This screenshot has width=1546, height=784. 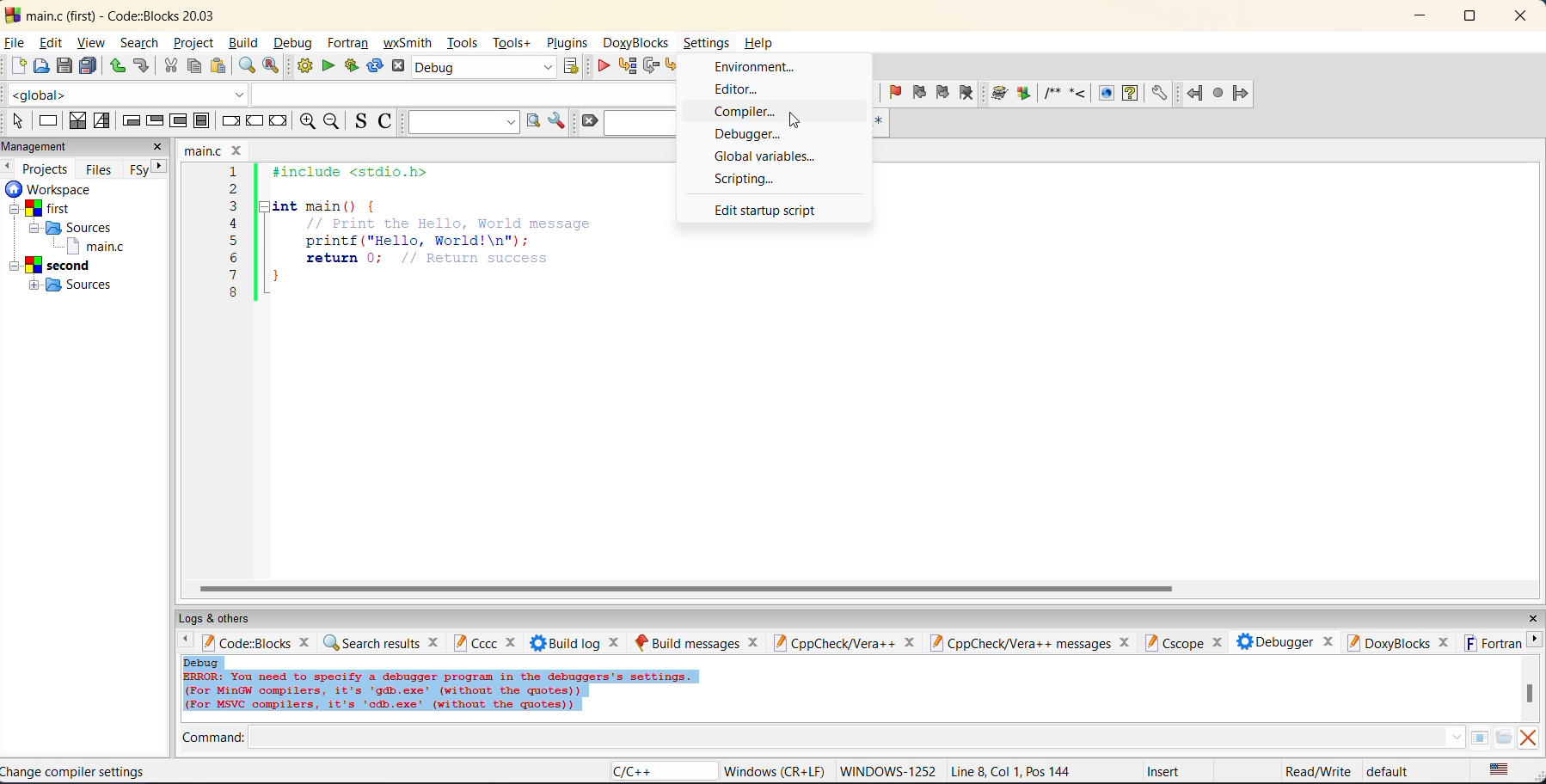 I want to click on search results, so click(x=383, y=642).